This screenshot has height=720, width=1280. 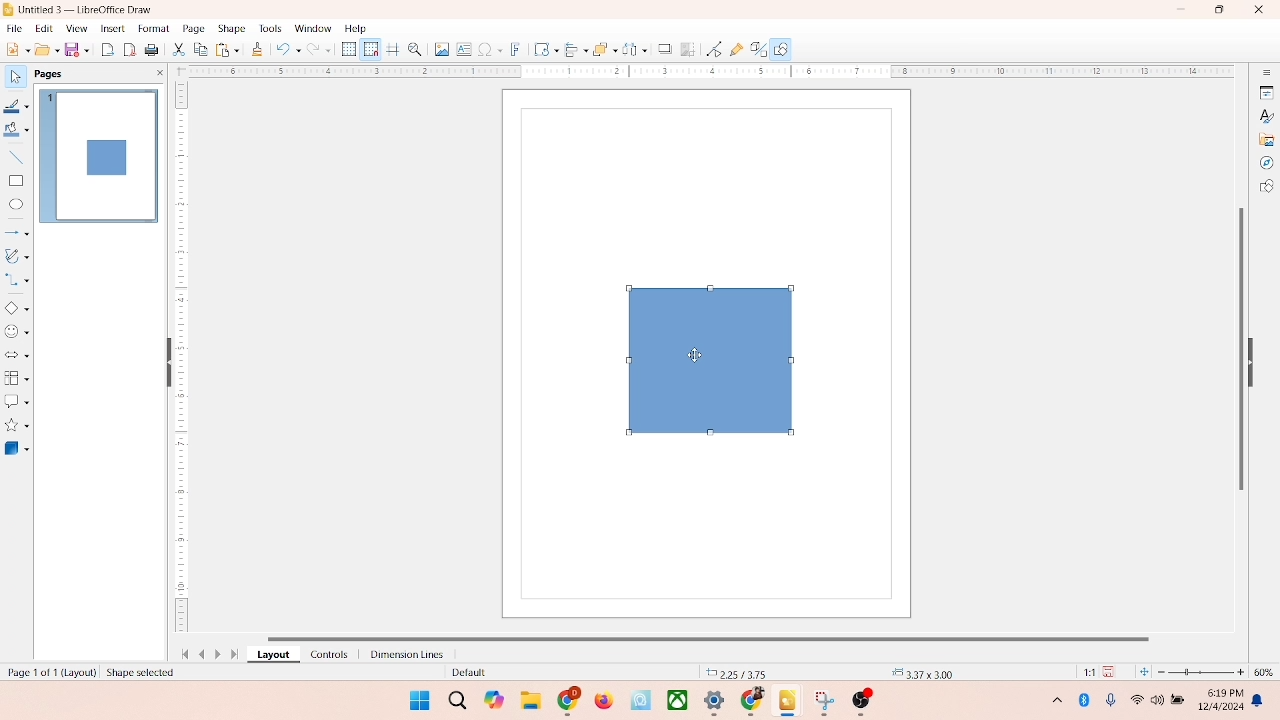 What do you see at coordinates (714, 48) in the screenshot?
I see `point edit mode` at bounding box center [714, 48].